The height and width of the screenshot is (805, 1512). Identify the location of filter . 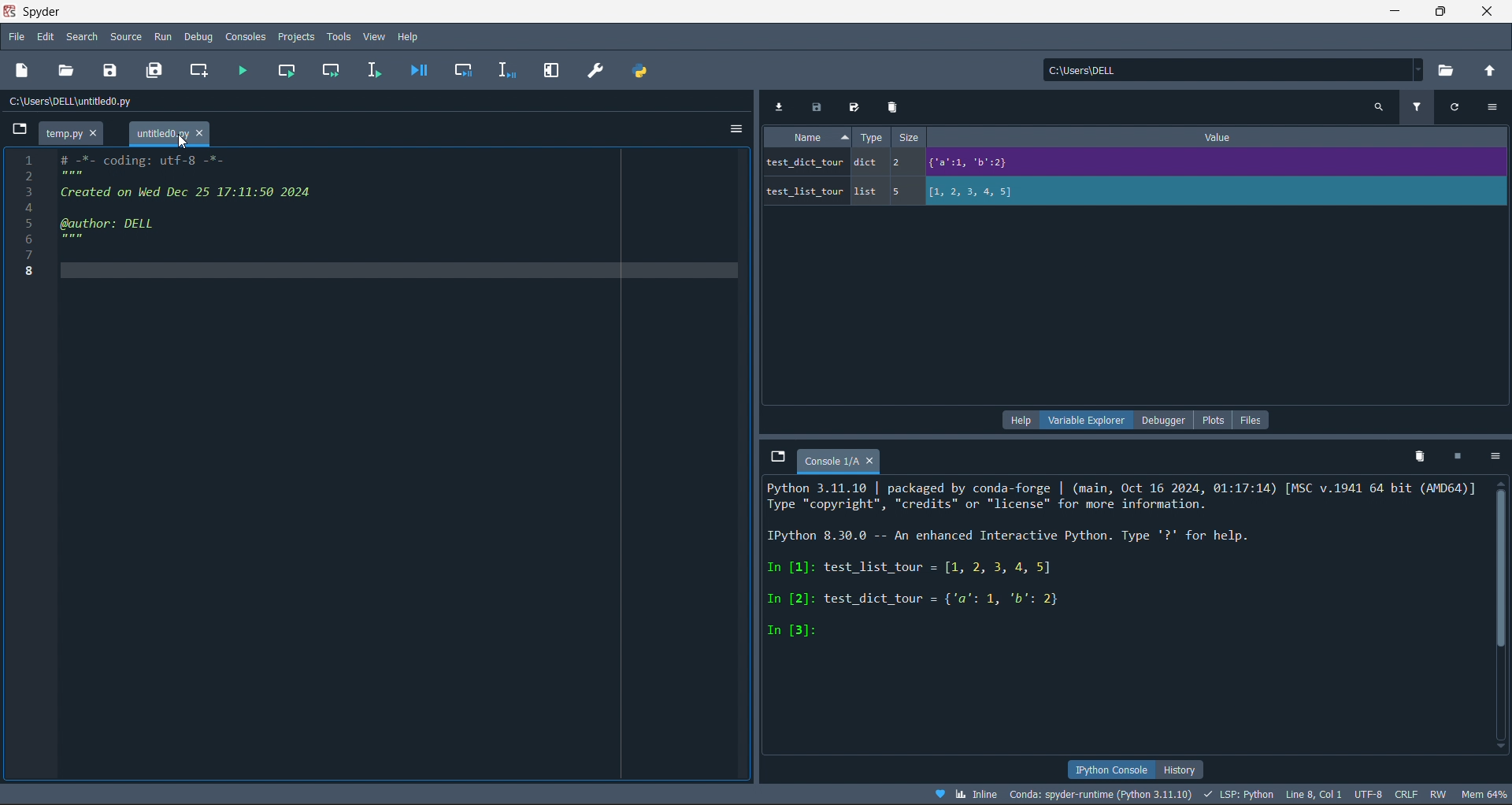
(1421, 106).